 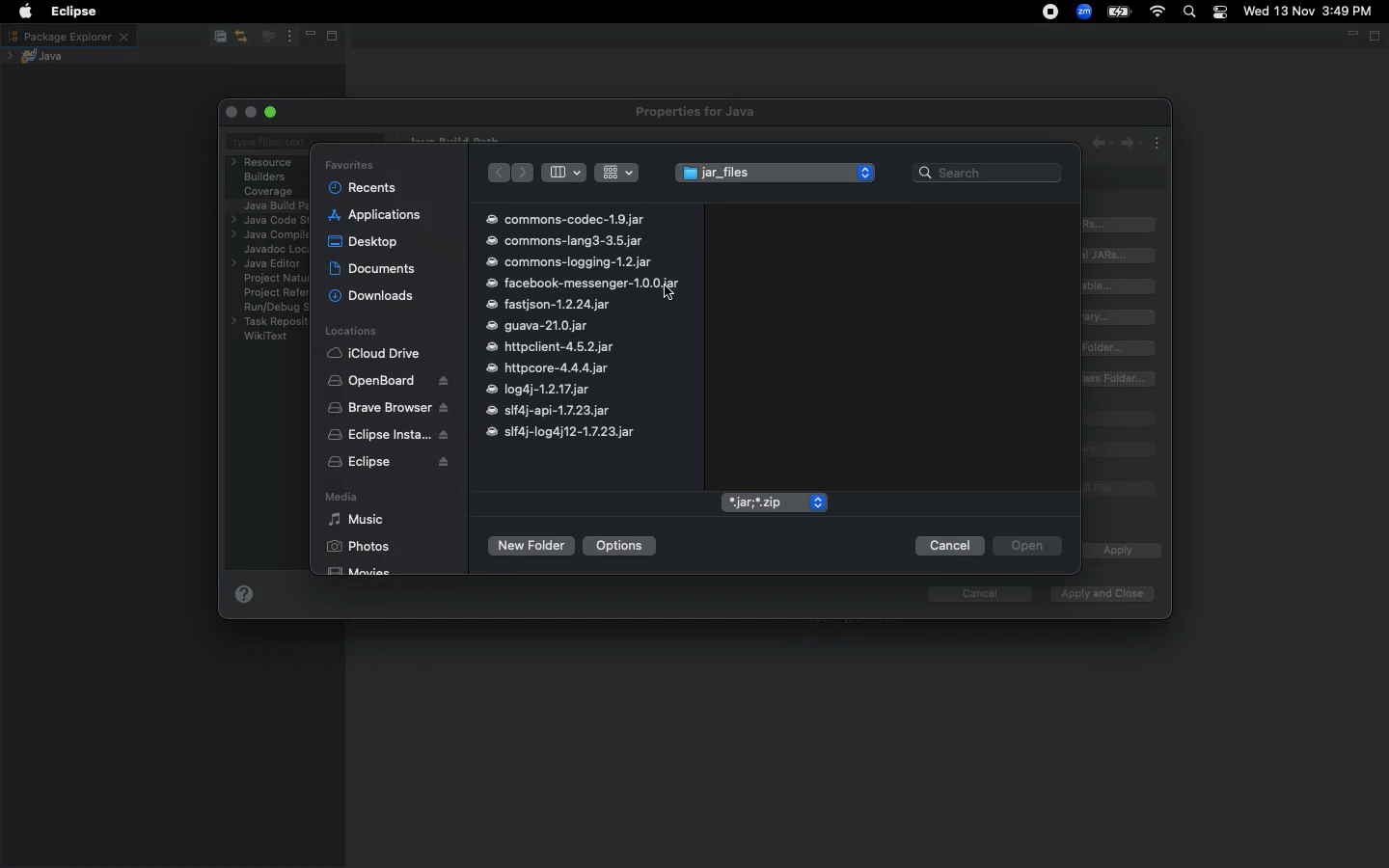 I want to click on Add JARs, so click(x=1121, y=225).